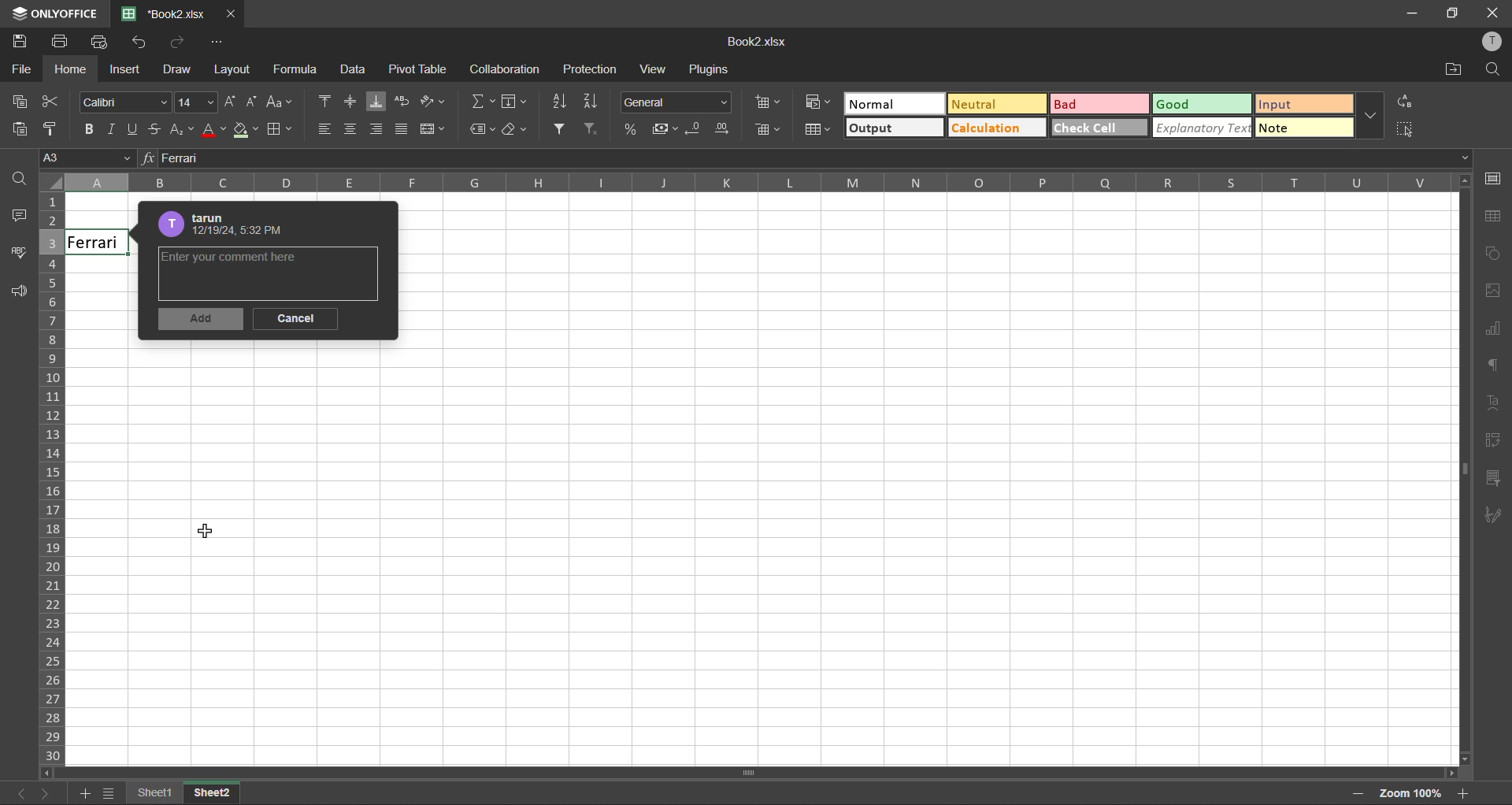  What do you see at coordinates (352, 131) in the screenshot?
I see `align center` at bounding box center [352, 131].